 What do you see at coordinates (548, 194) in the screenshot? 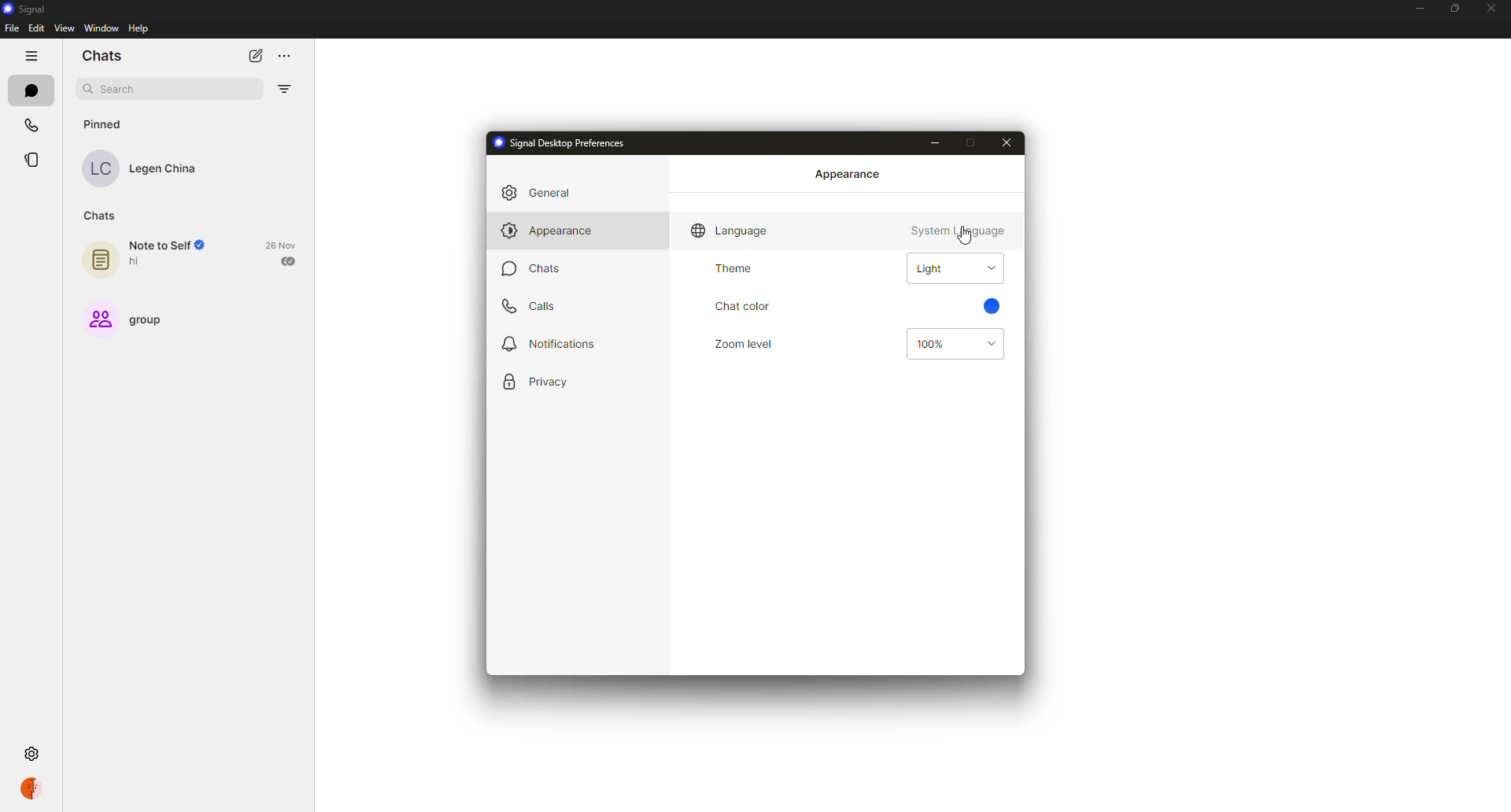
I see `general` at bounding box center [548, 194].